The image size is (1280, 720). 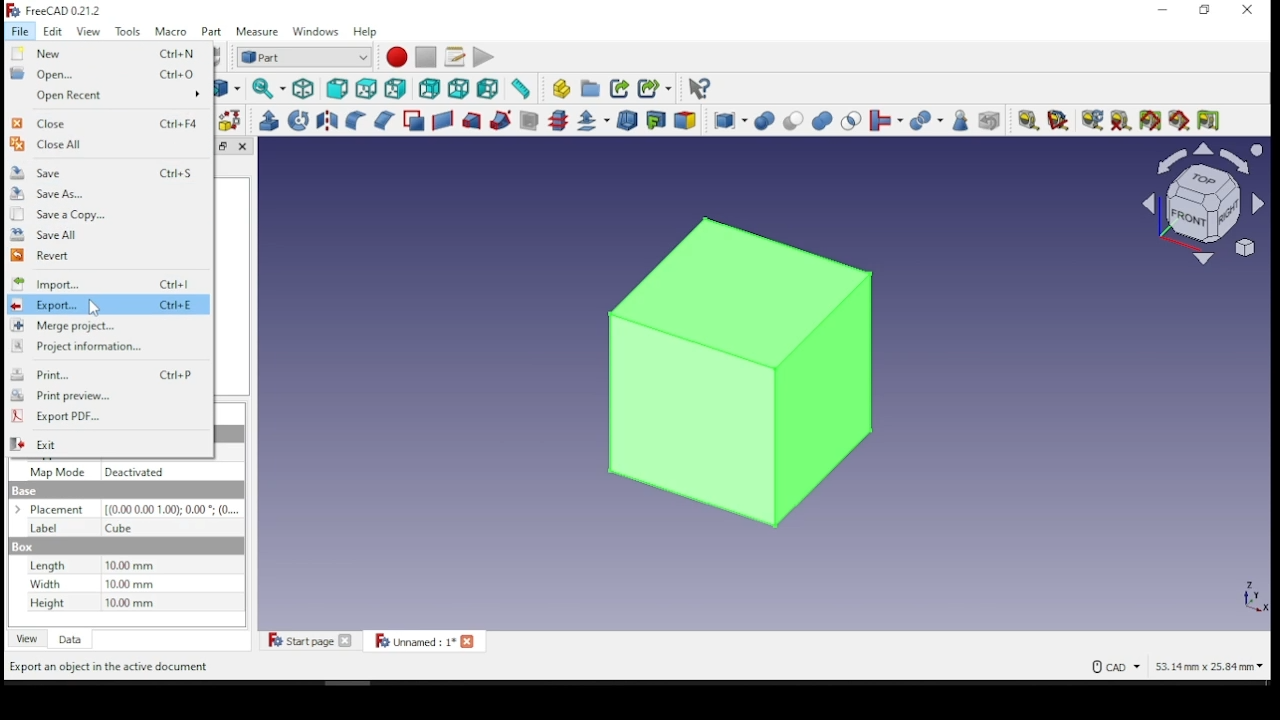 I want to click on export PDF, so click(x=104, y=419).